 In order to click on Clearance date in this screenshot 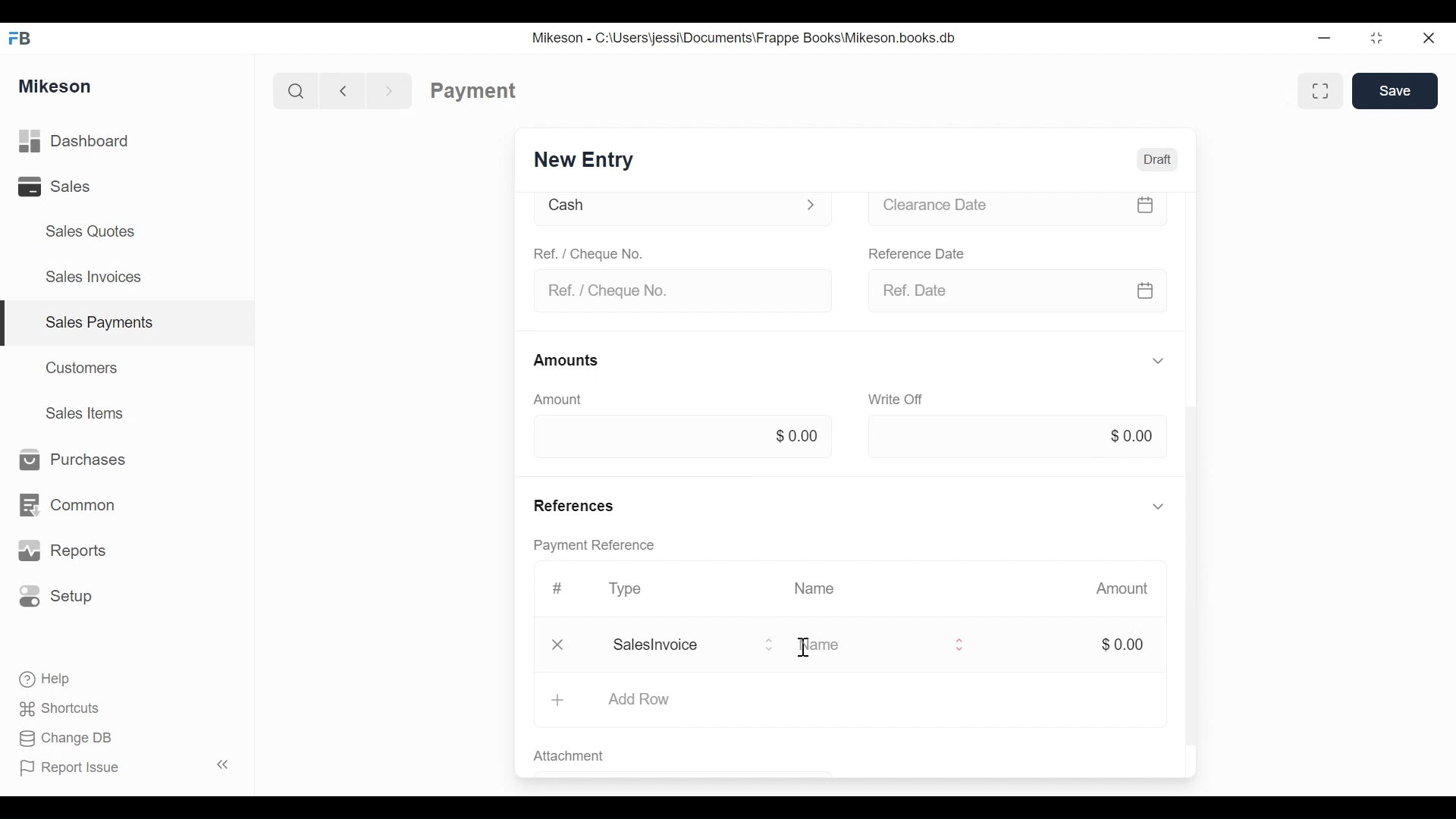, I will do `click(1015, 209)`.